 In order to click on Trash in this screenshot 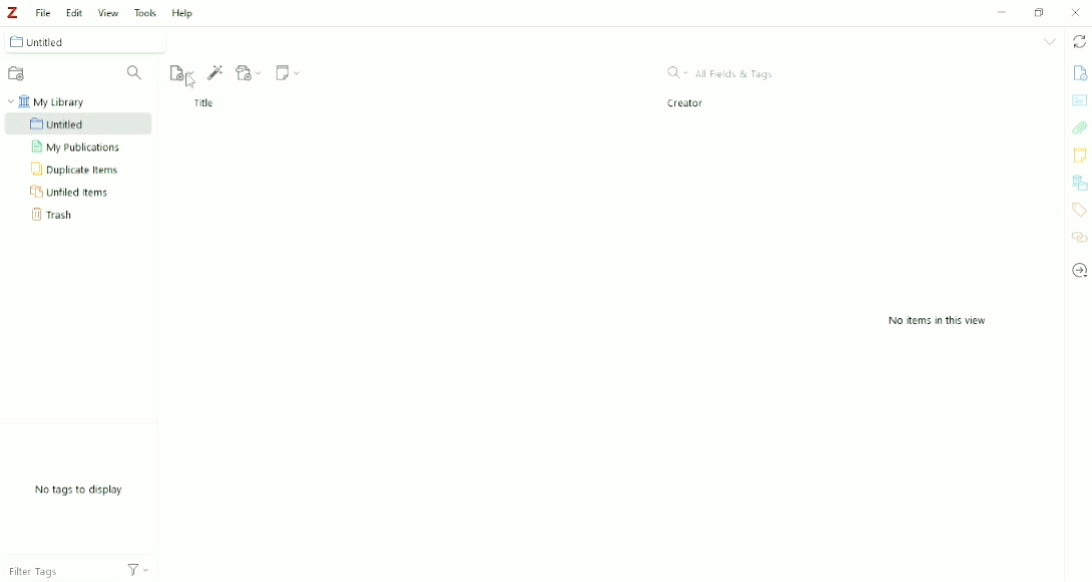, I will do `click(61, 214)`.